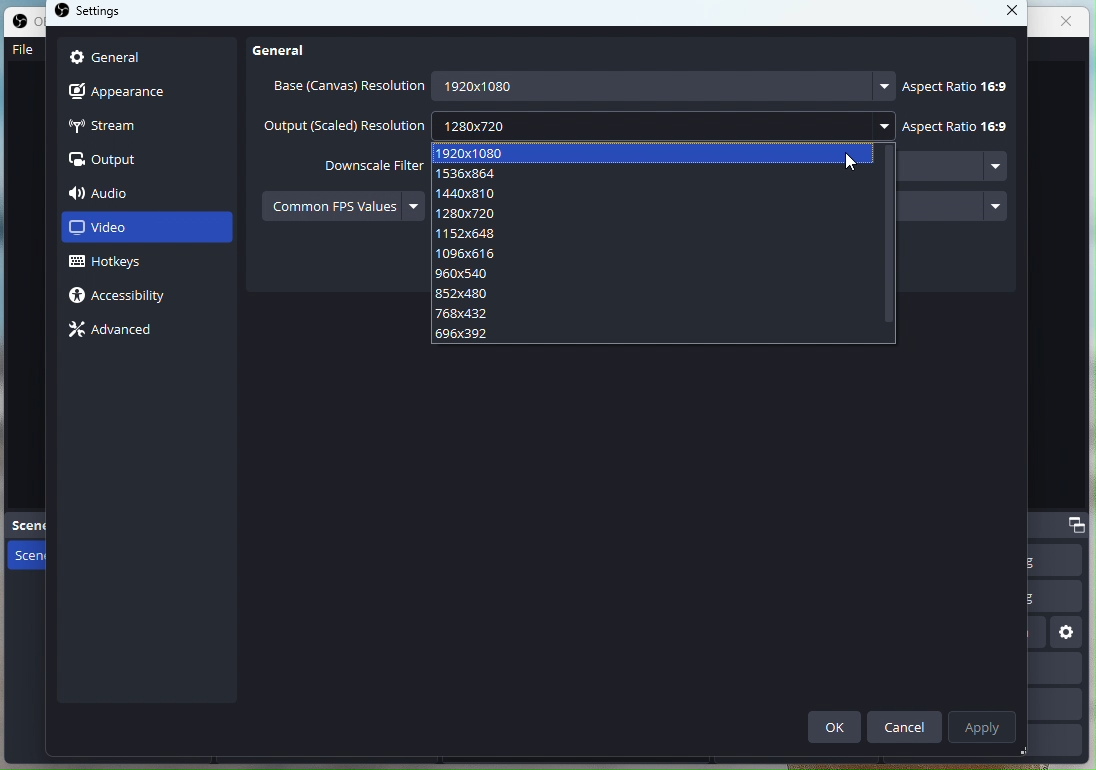 This screenshot has height=770, width=1096. Describe the element at coordinates (344, 127) in the screenshot. I see `output (scaled) resolution` at that location.